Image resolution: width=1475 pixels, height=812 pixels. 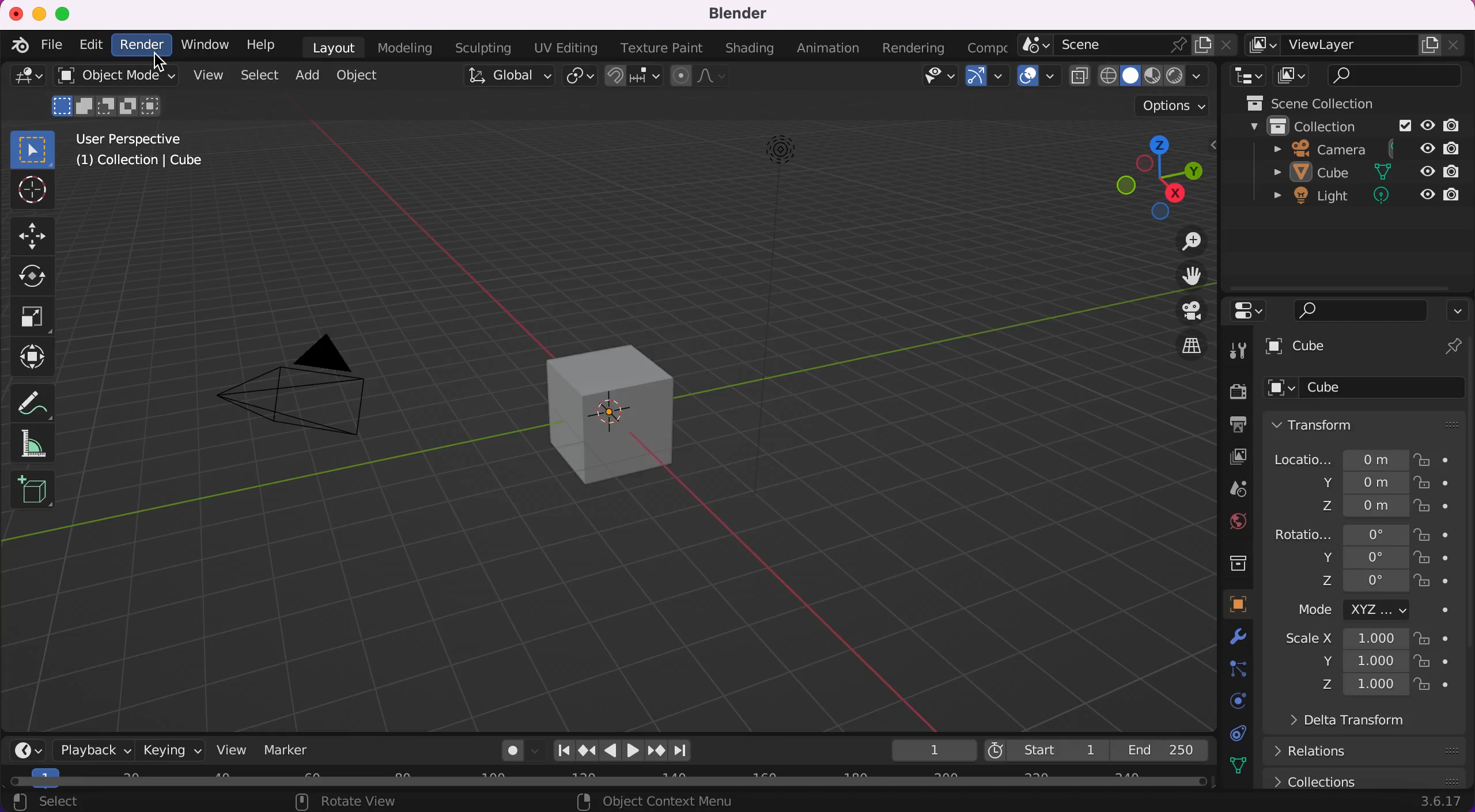 What do you see at coordinates (232, 749) in the screenshot?
I see `view` at bounding box center [232, 749].